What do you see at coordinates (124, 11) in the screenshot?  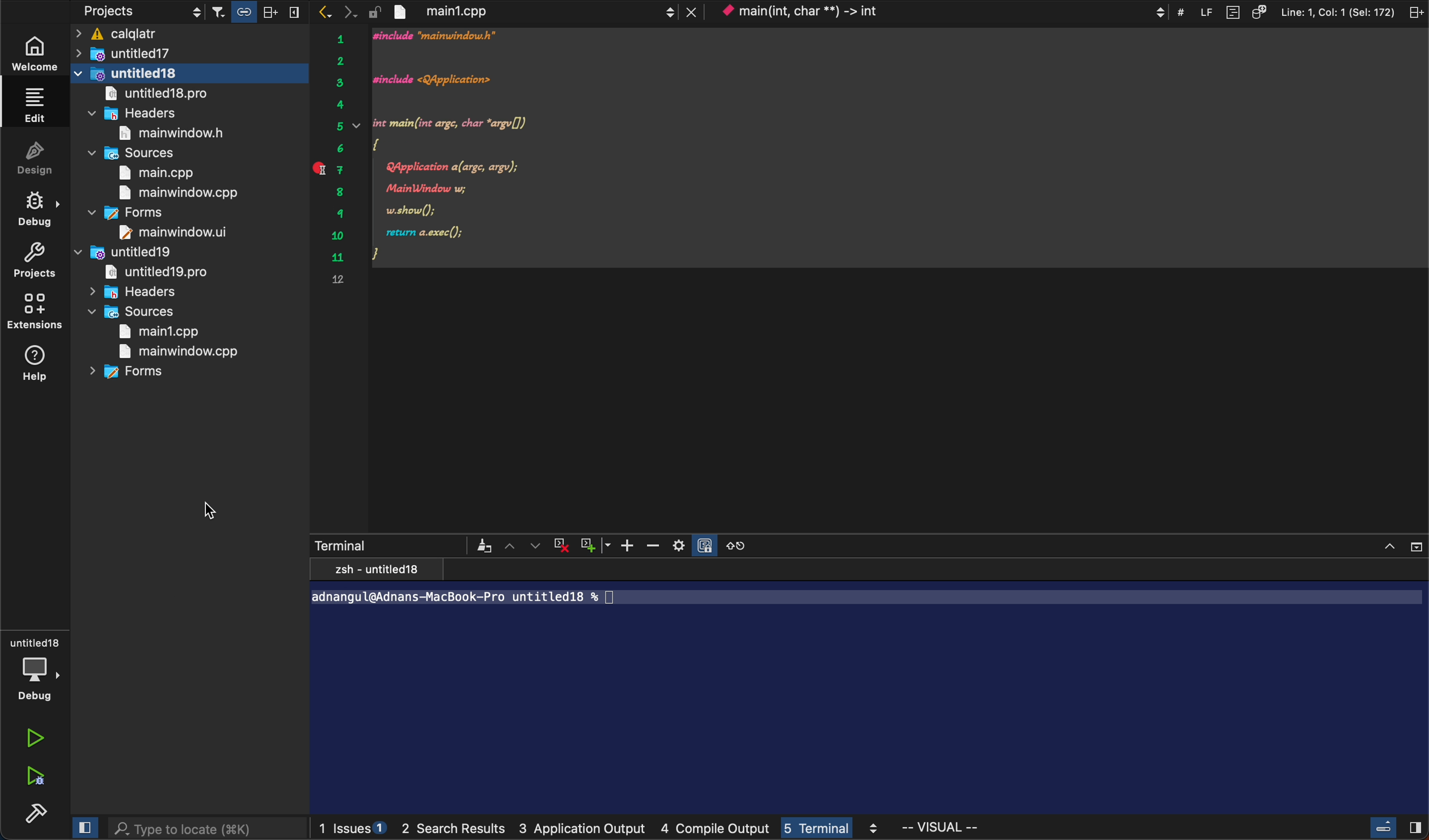 I see `projects` at bounding box center [124, 11].